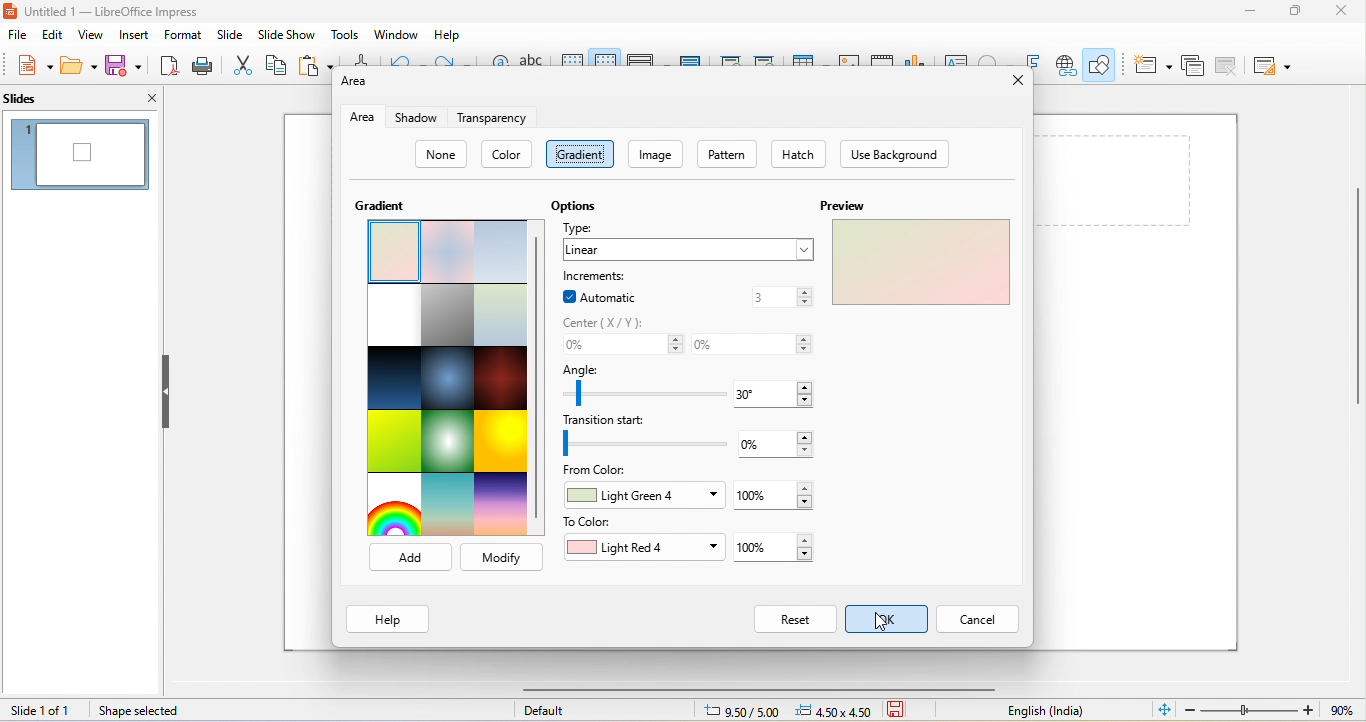 This screenshot has height=722, width=1366. Describe the element at coordinates (656, 155) in the screenshot. I see `image` at that location.